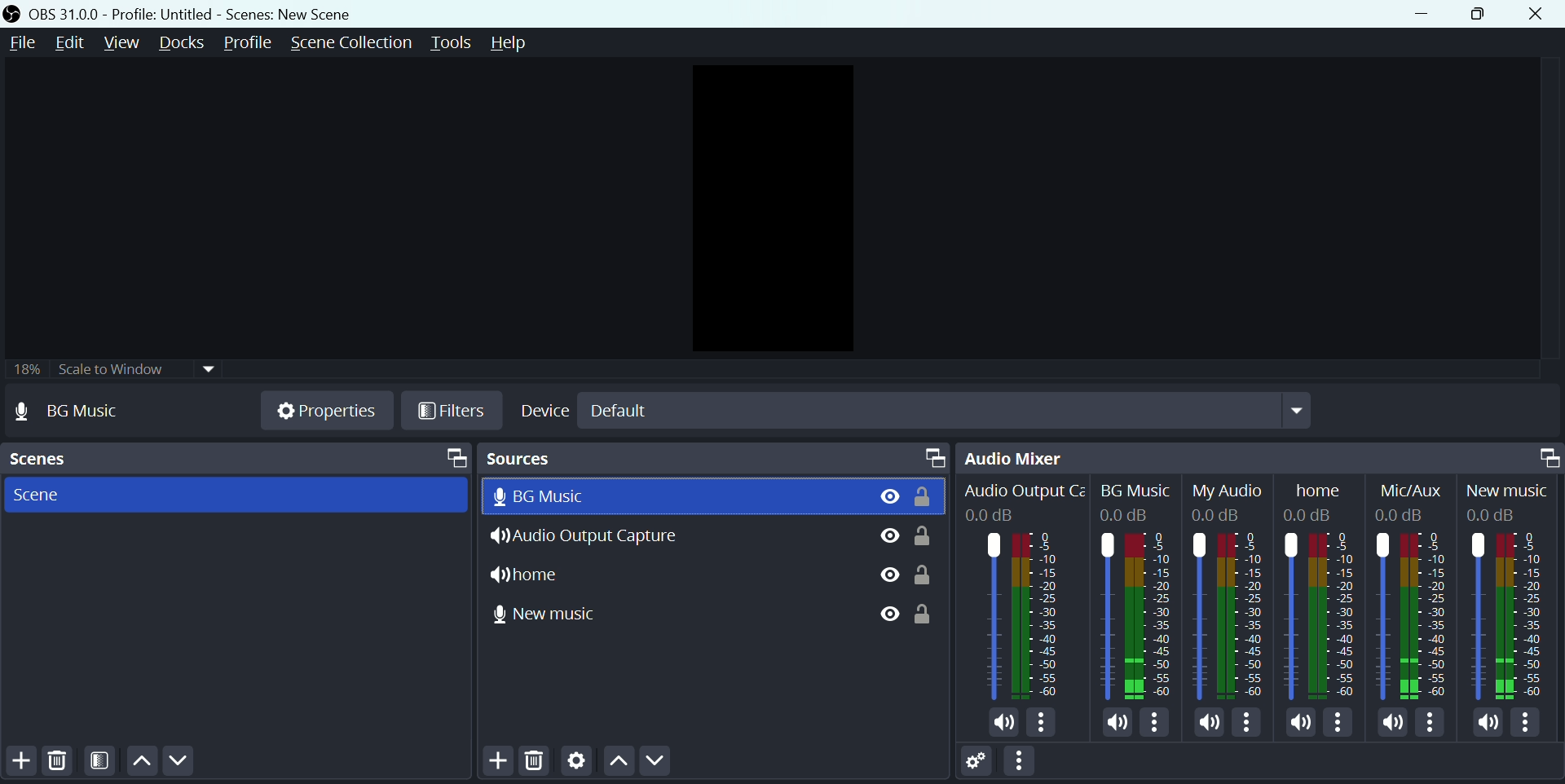 This screenshot has height=784, width=1565. Describe the element at coordinates (36, 496) in the screenshot. I see `Scene` at that location.